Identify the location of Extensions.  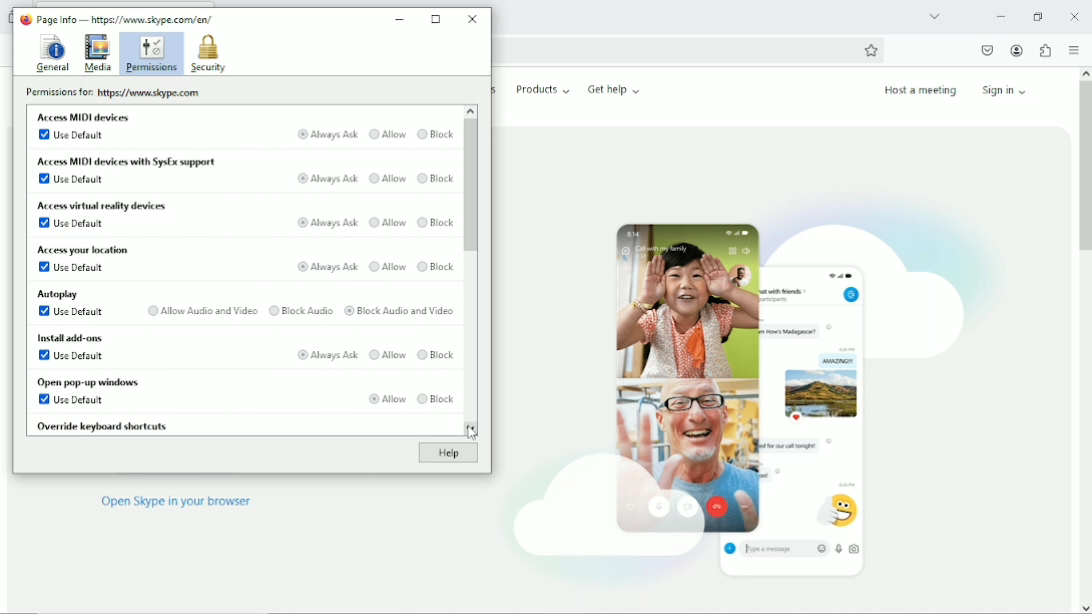
(1045, 50).